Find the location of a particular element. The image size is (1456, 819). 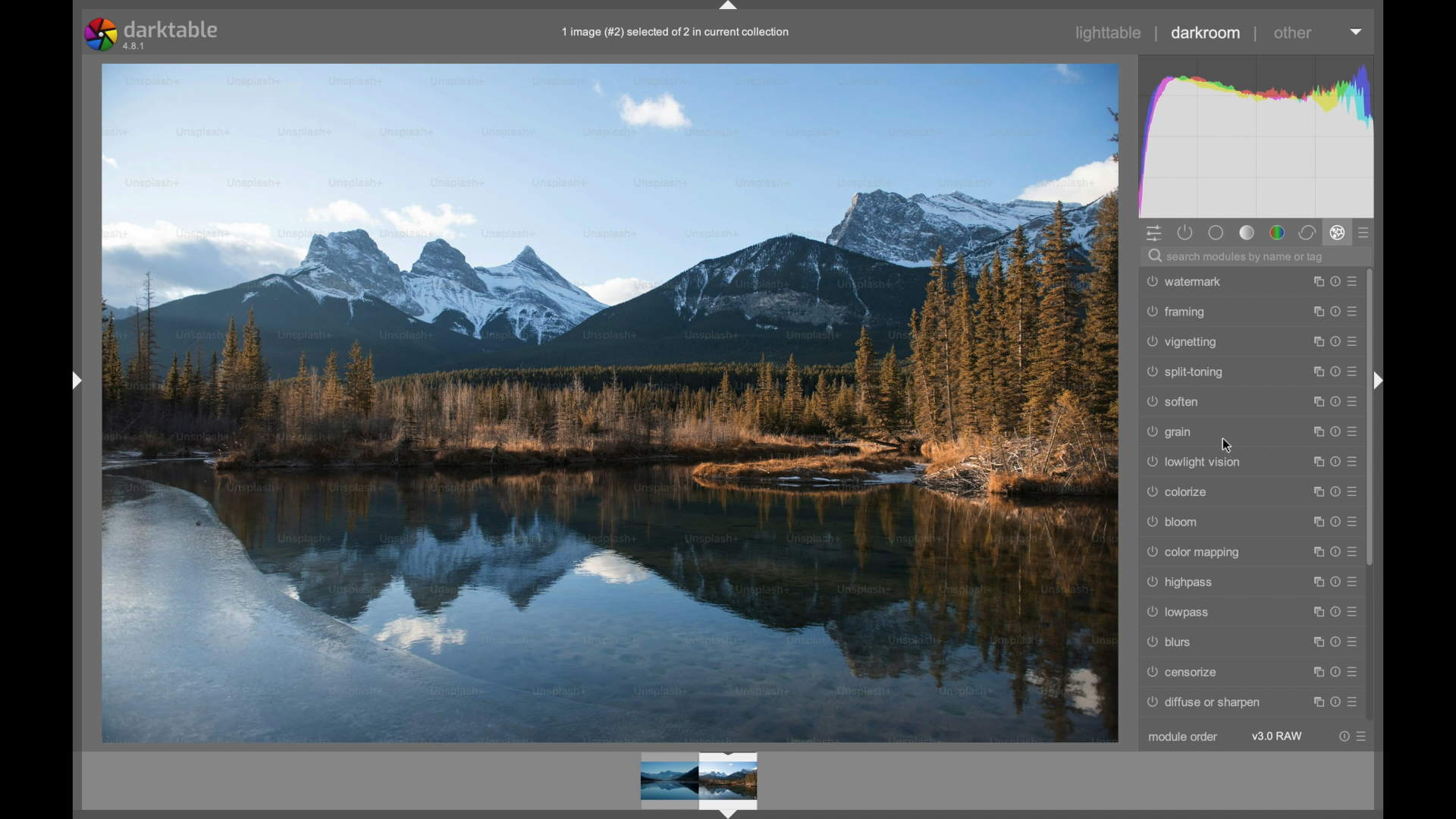

presets is located at coordinates (1355, 312).